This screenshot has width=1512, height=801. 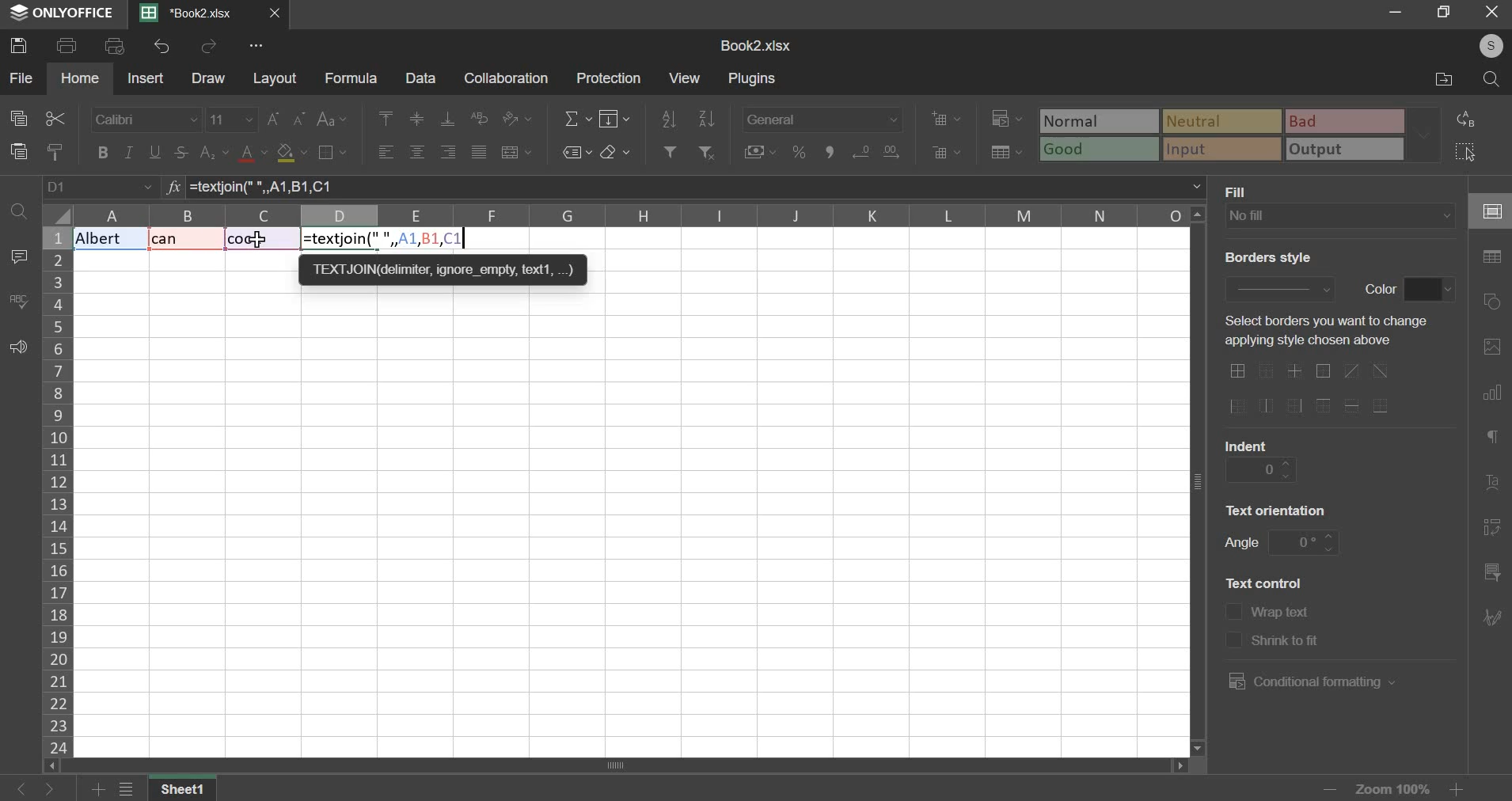 I want to click on =textjoin(" ", A1, B1, C1, so click(x=697, y=187).